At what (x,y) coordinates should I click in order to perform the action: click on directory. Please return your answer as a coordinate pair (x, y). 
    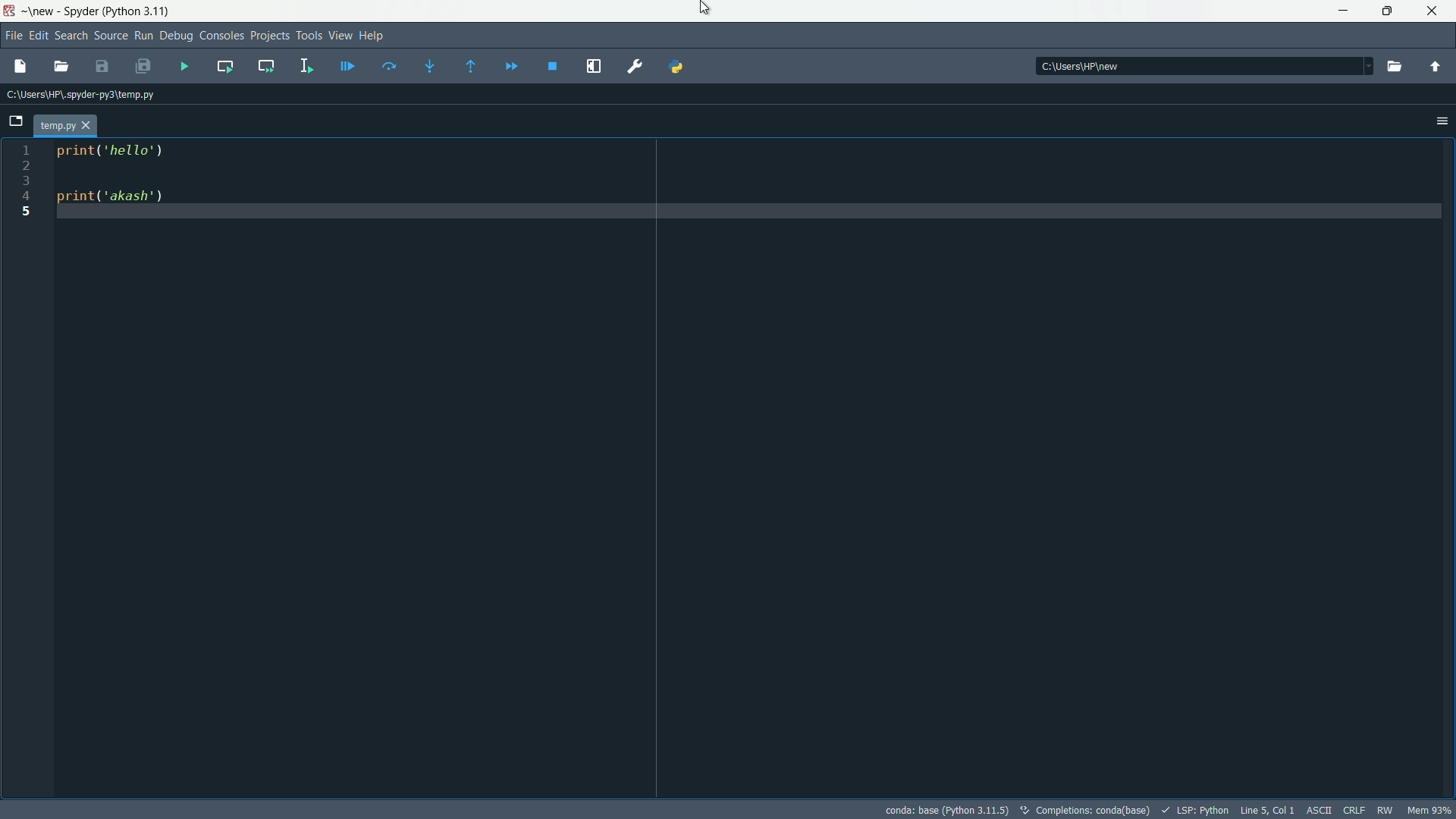
    Looking at the image, I should click on (1084, 67).